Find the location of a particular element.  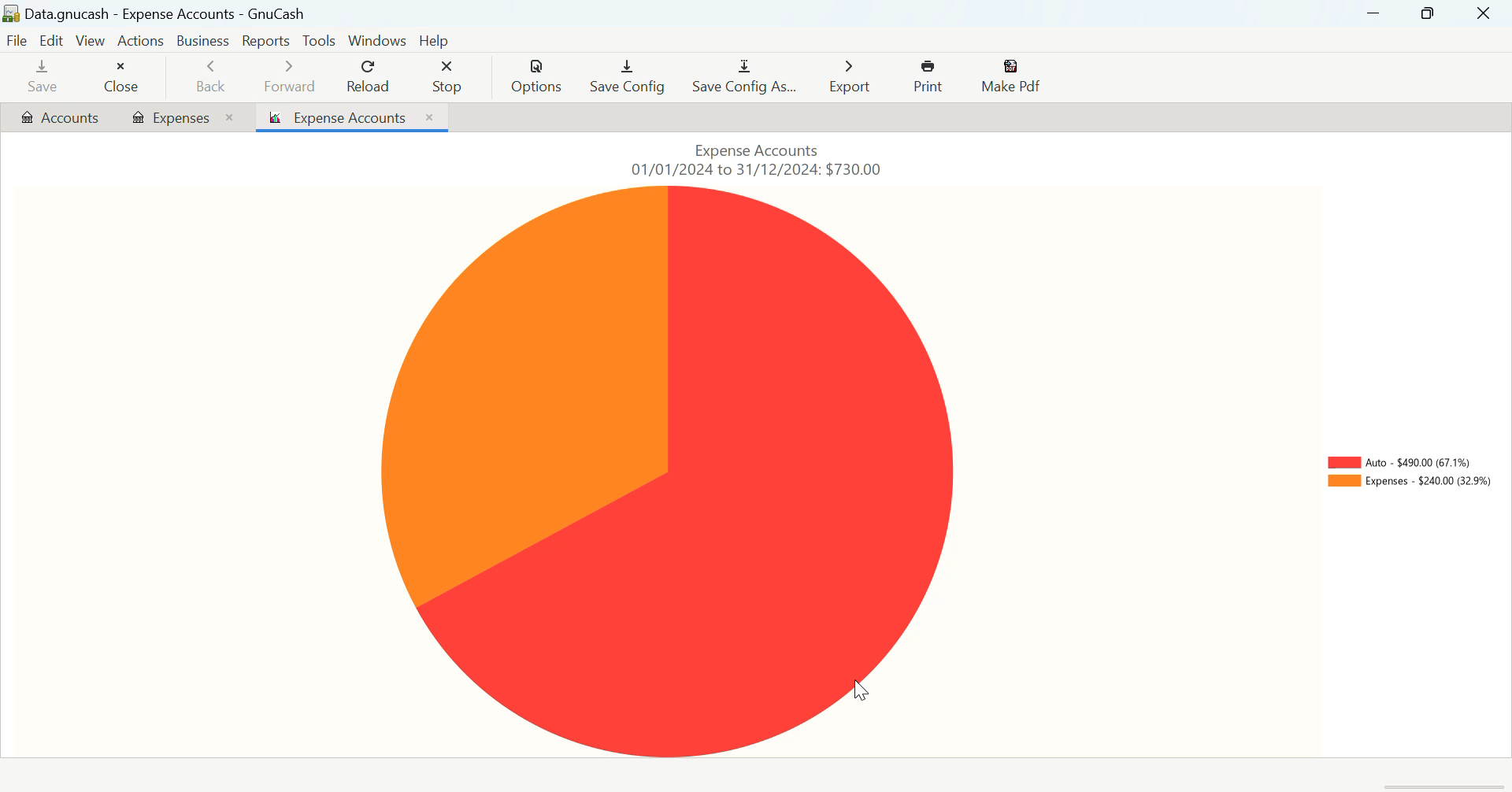

Restore Down is located at coordinates (1375, 13).